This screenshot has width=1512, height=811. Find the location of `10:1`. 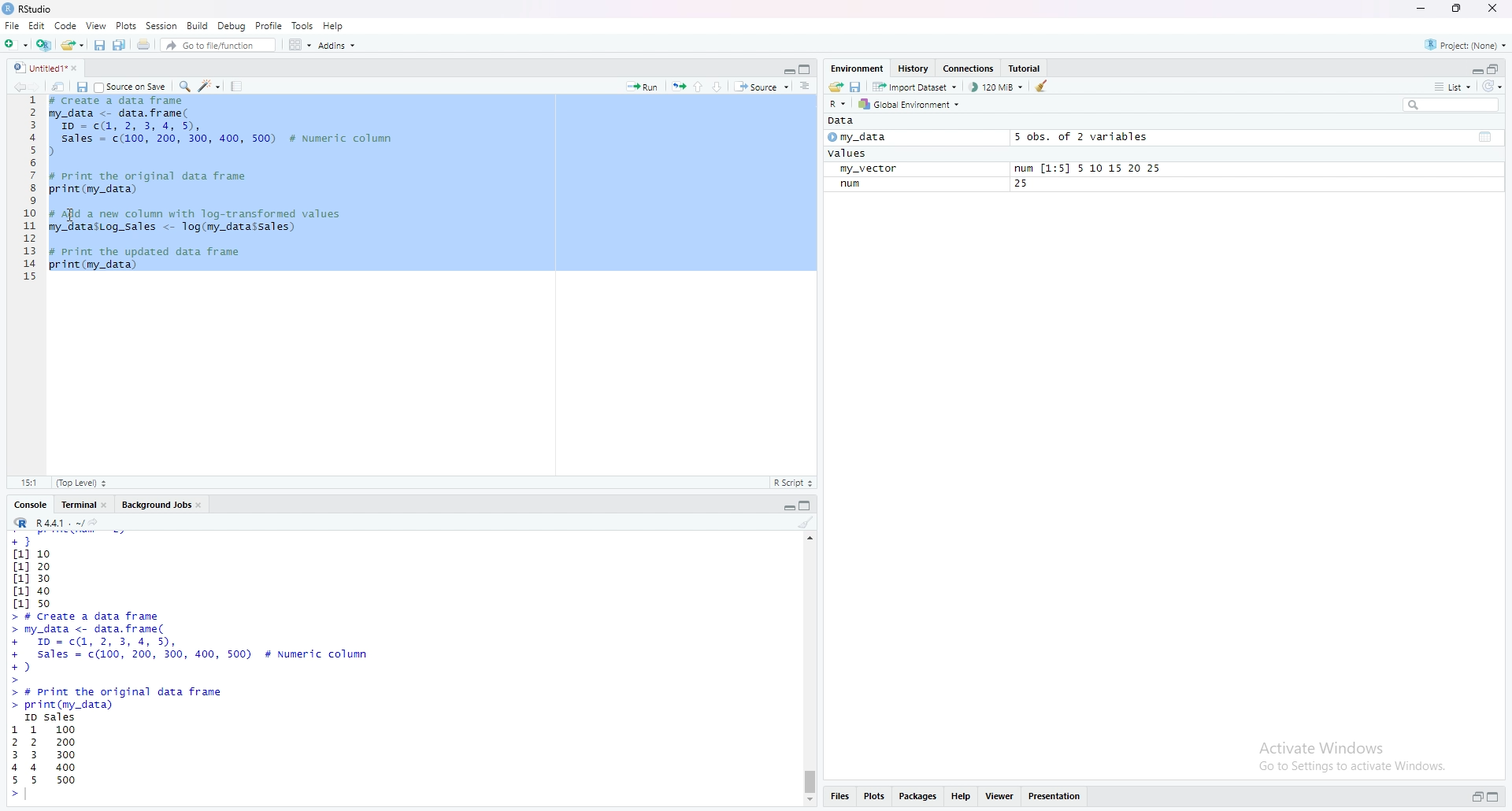

10:1 is located at coordinates (28, 483).